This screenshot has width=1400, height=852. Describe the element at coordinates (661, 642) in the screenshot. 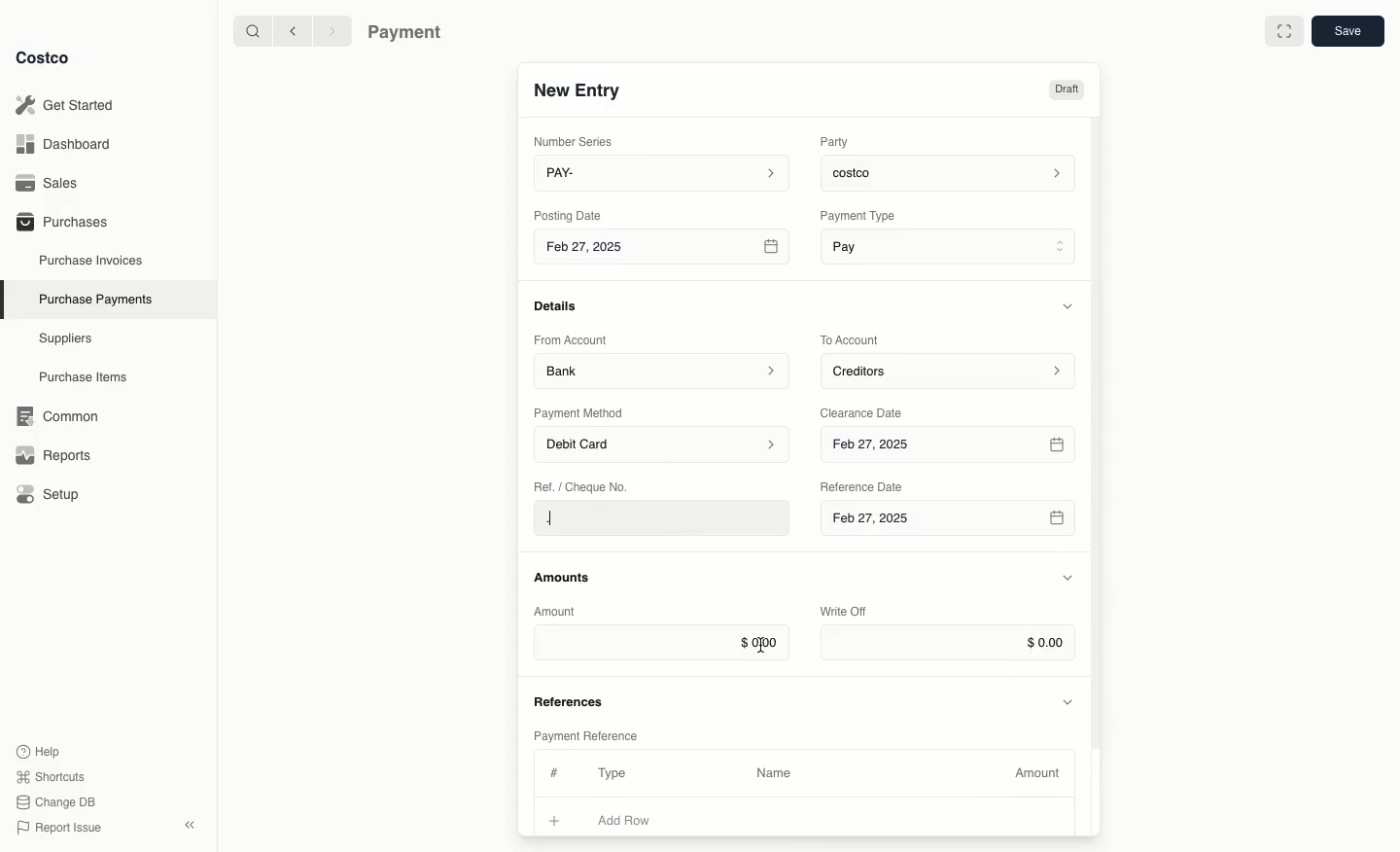

I see `$0.00` at that location.